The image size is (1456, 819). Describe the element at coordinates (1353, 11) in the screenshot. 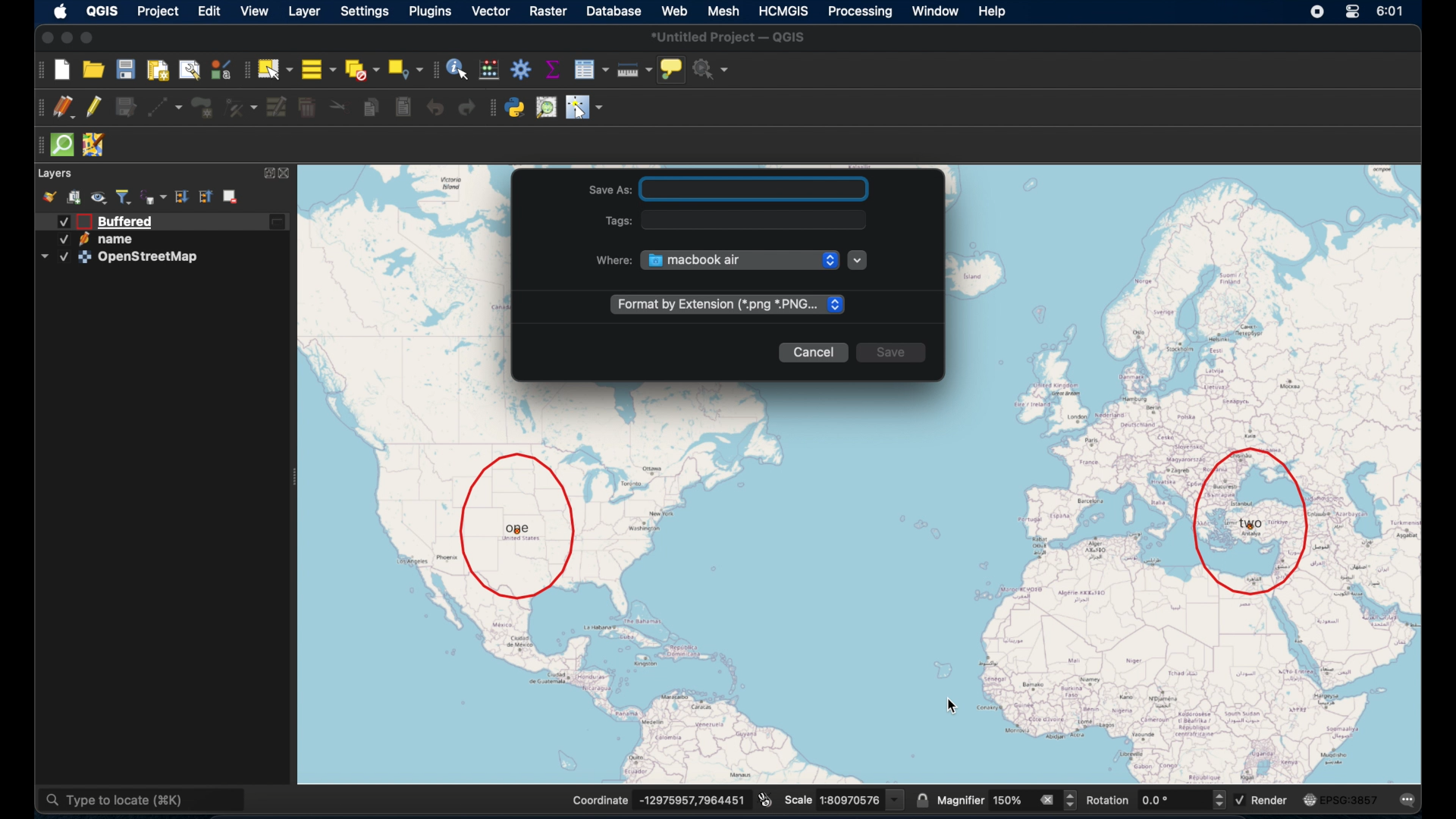

I see `control center` at that location.